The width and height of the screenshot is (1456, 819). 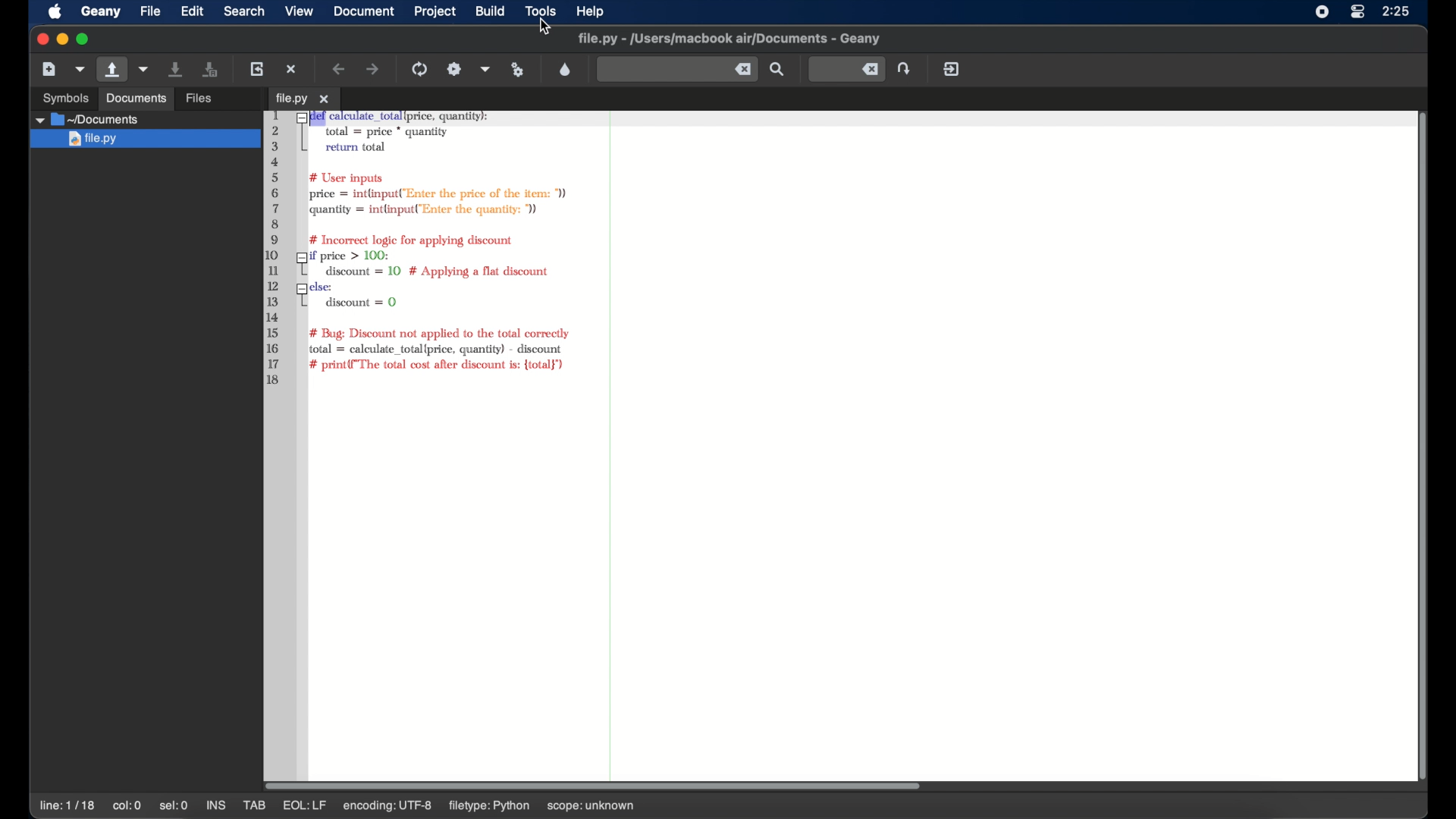 I want to click on project, so click(x=436, y=11).